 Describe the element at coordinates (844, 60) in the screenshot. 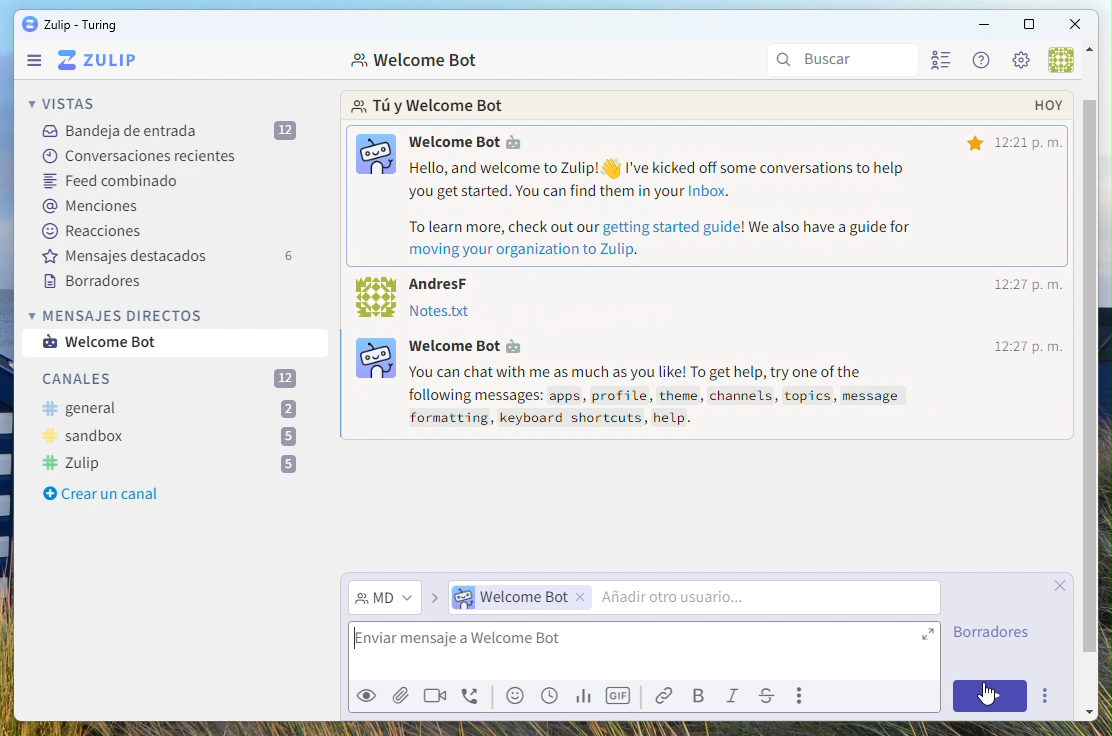

I see `Search` at that location.